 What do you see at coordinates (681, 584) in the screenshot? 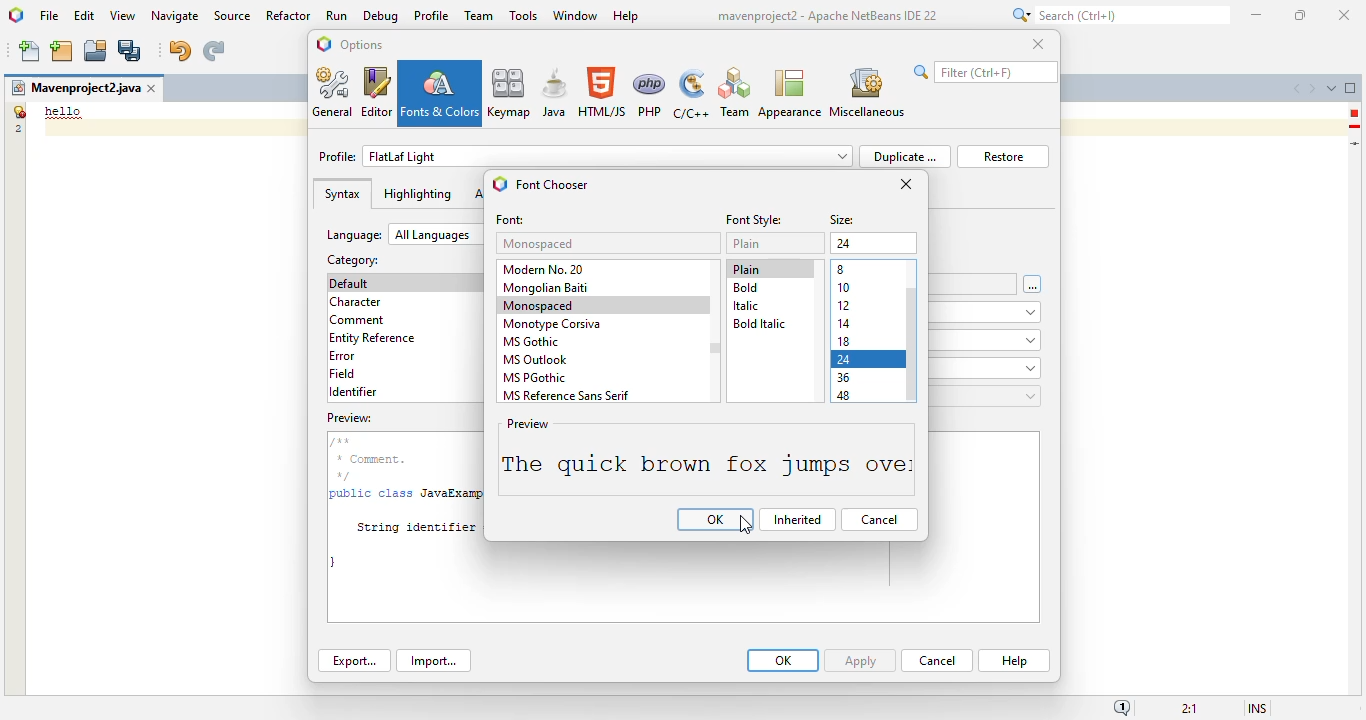
I see `preview` at bounding box center [681, 584].